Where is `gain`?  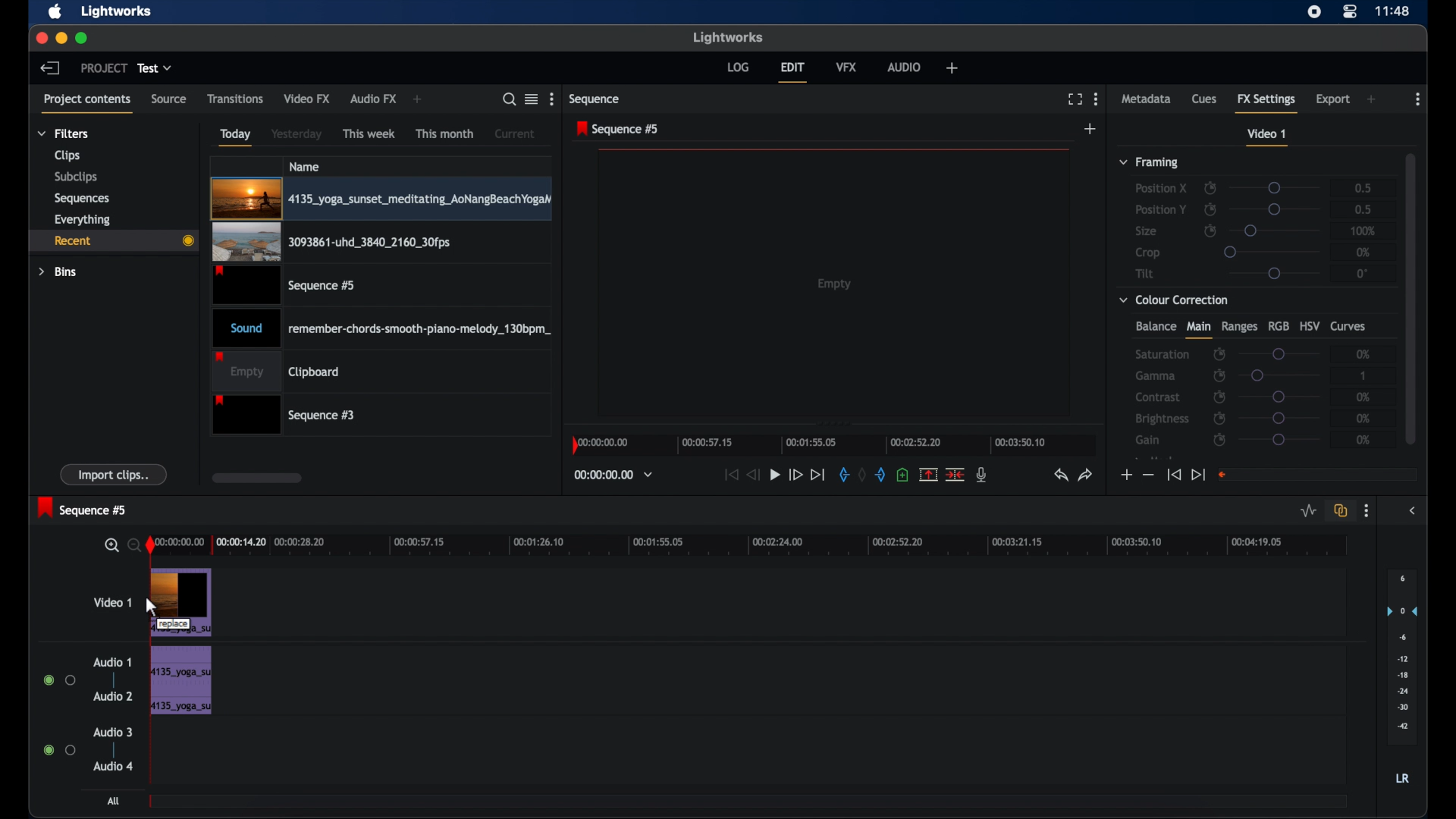 gain is located at coordinates (1147, 440).